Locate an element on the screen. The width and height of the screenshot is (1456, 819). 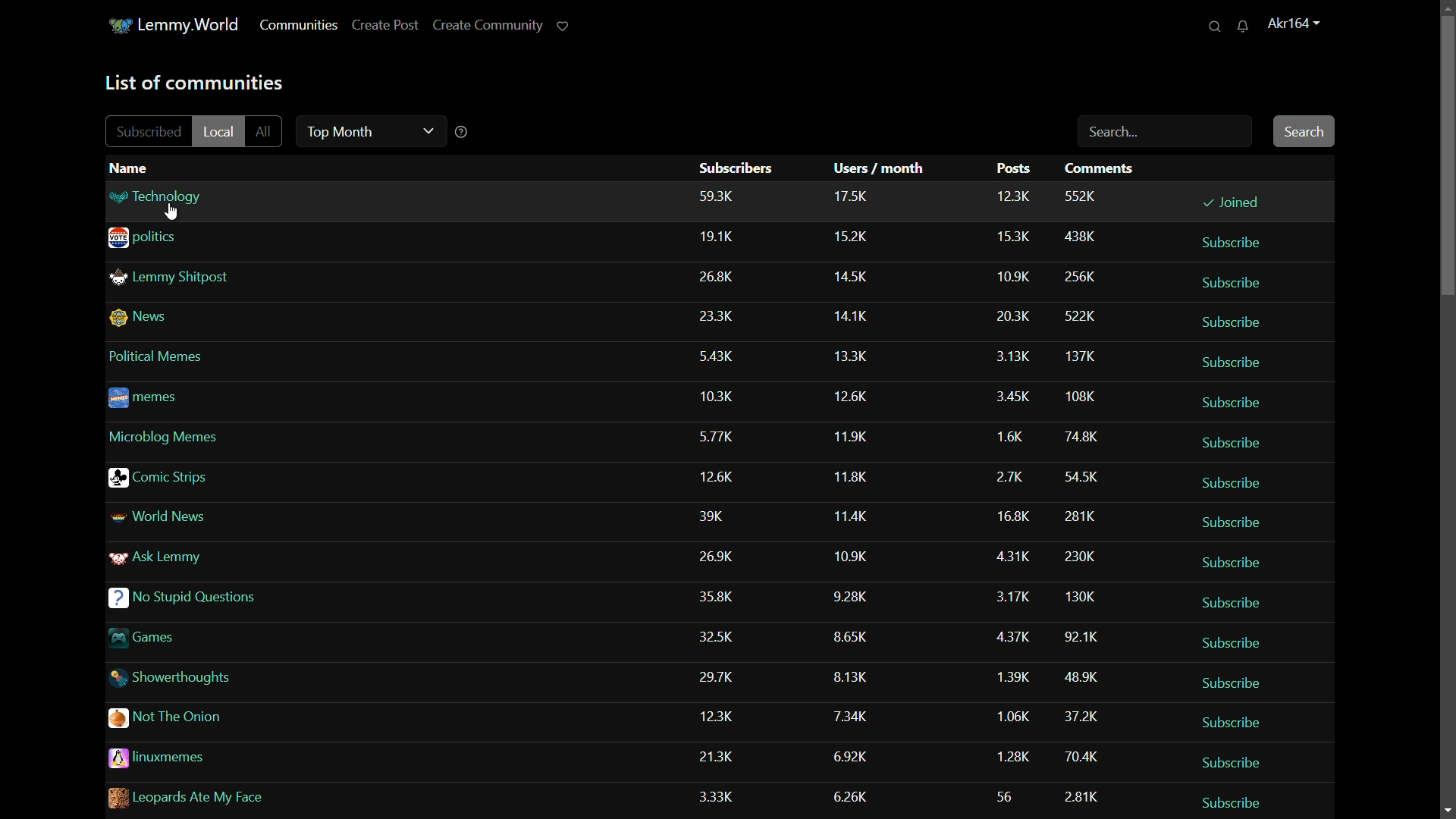
subscribe/unsubscribe is located at coordinates (1235, 521).